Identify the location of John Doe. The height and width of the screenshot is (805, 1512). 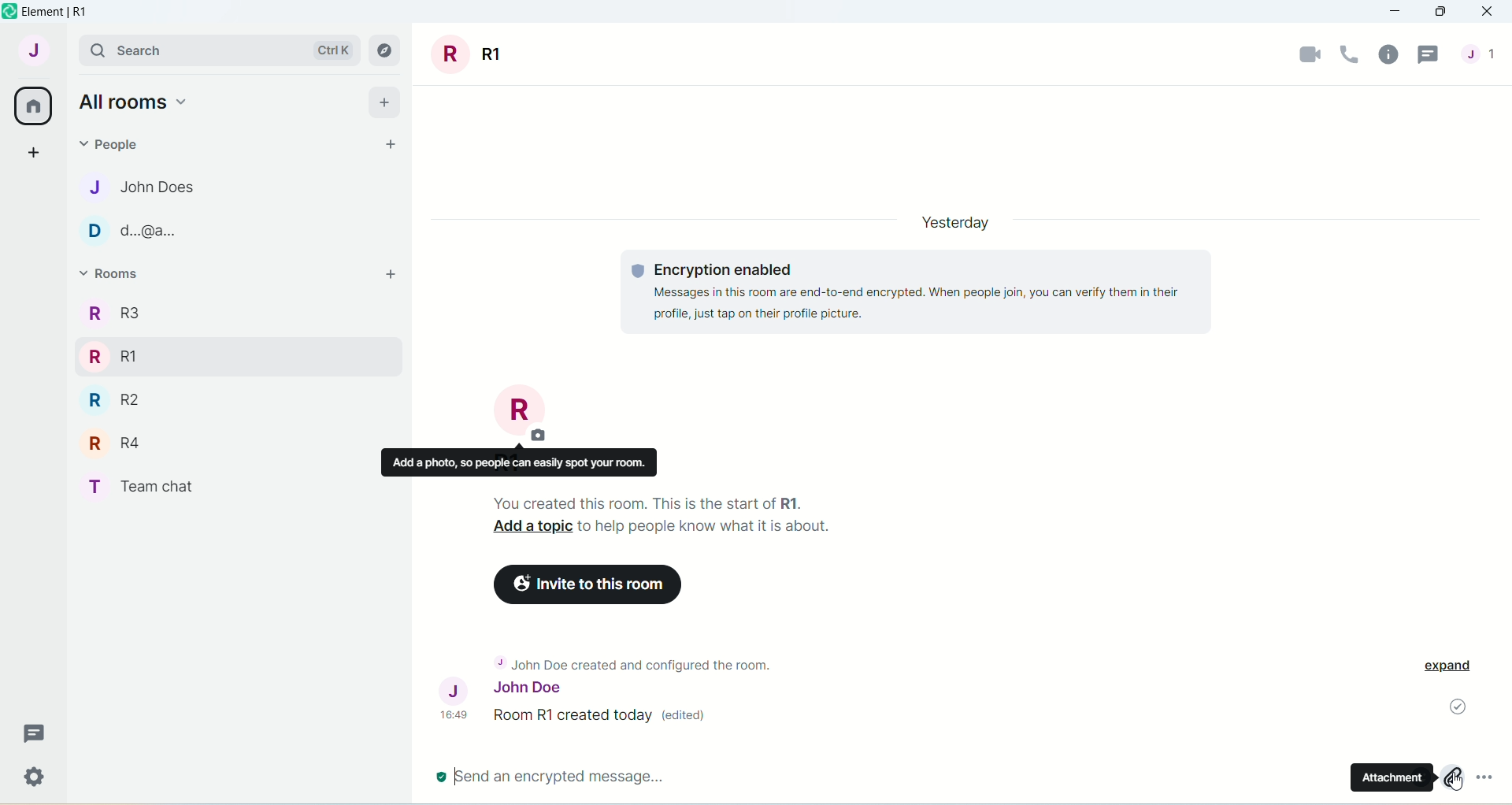
(498, 689).